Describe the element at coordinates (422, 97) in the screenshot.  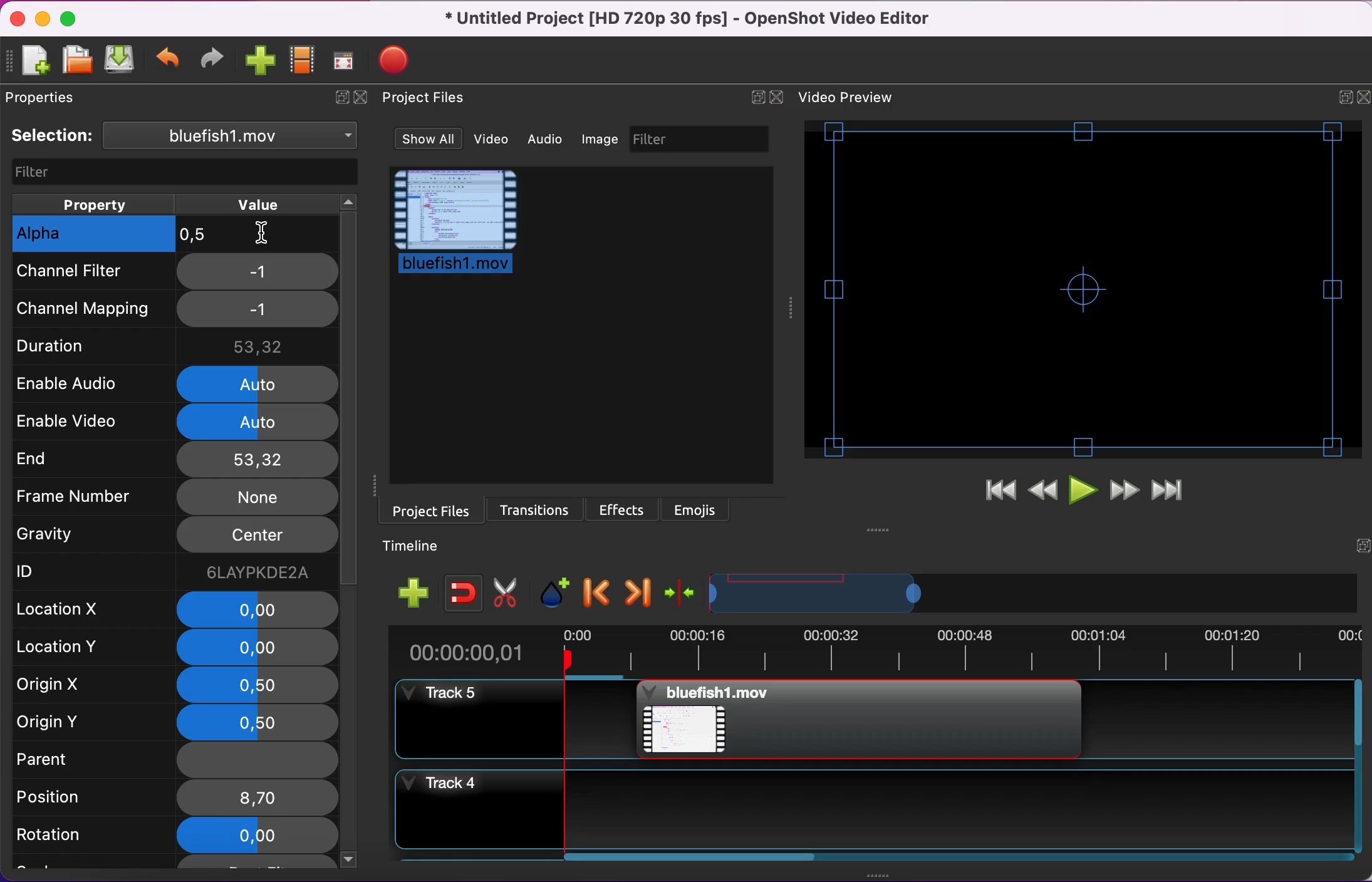
I see `Project files` at that location.